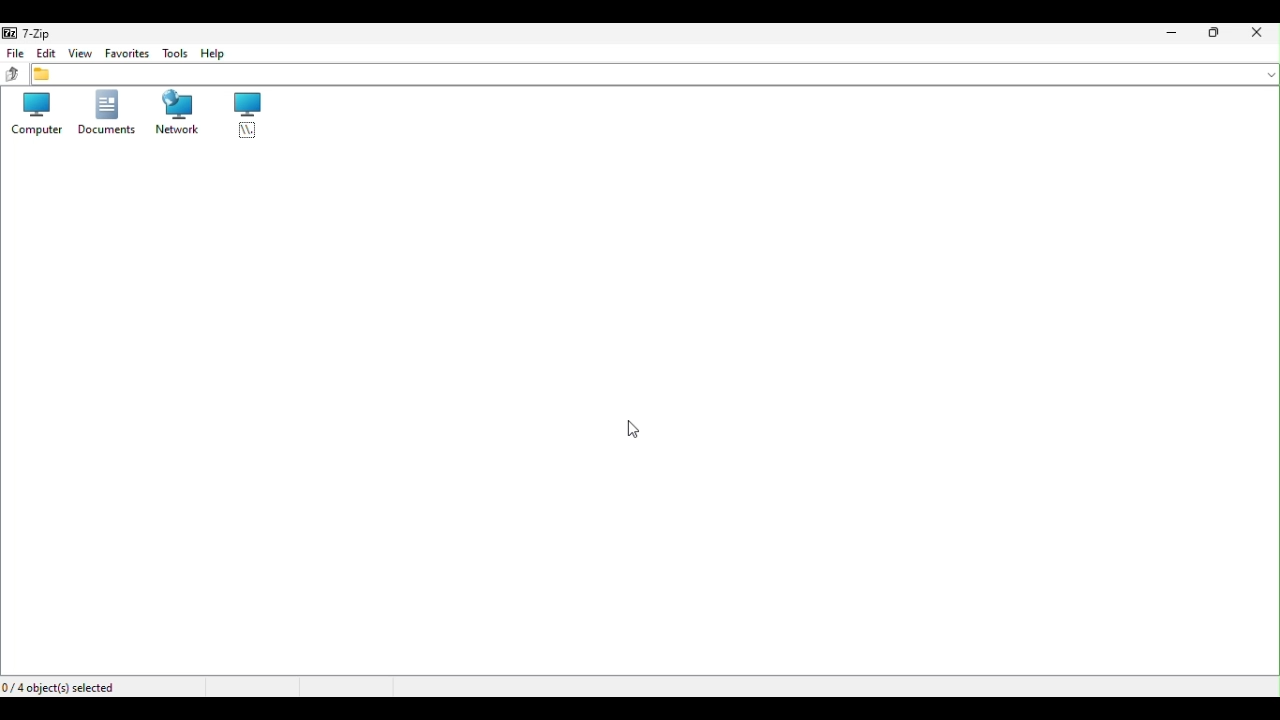 This screenshot has width=1280, height=720. Describe the element at coordinates (104, 116) in the screenshot. I see `Documents` at that location.